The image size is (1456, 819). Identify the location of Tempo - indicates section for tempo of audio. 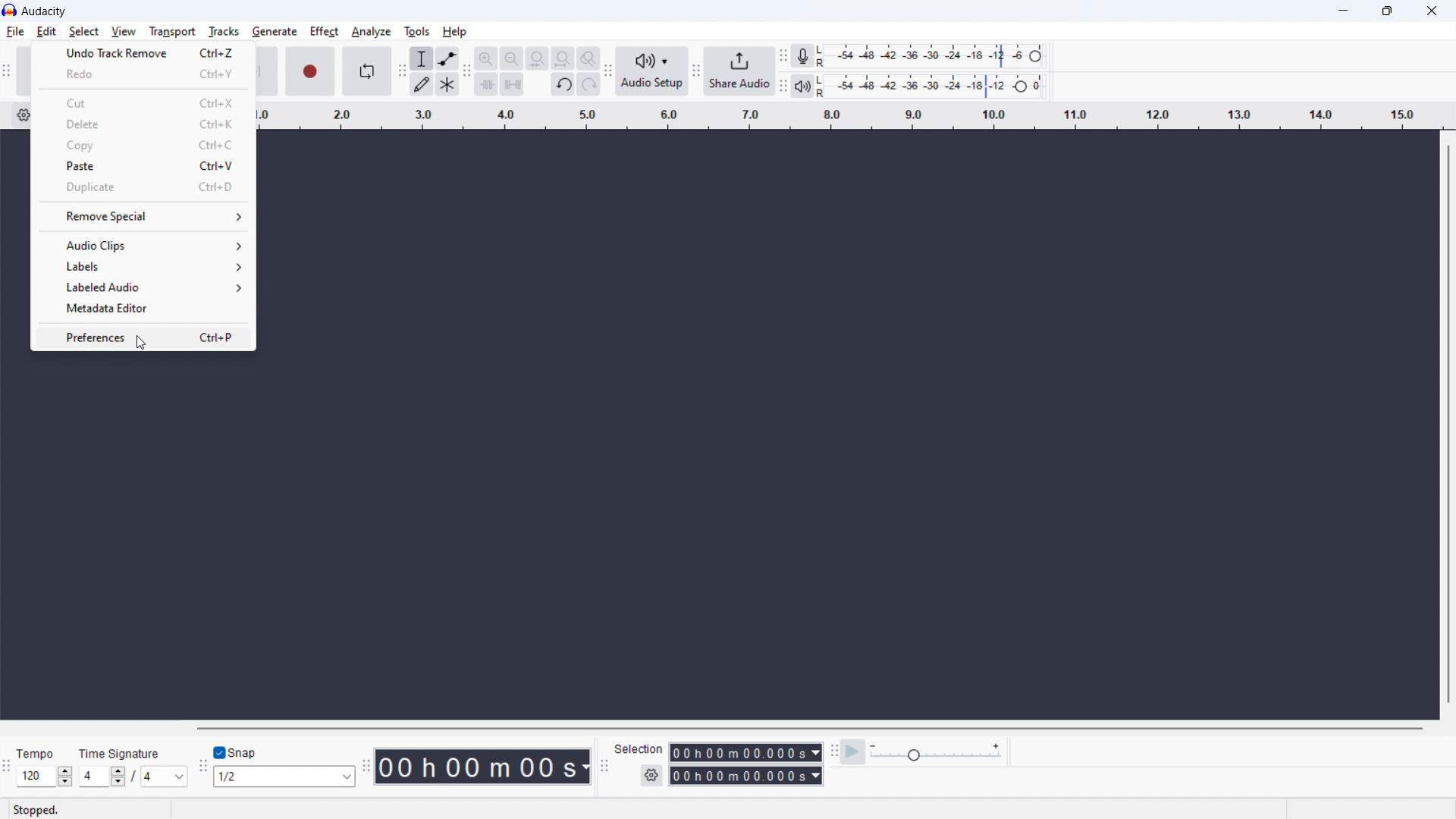
(35, 753).